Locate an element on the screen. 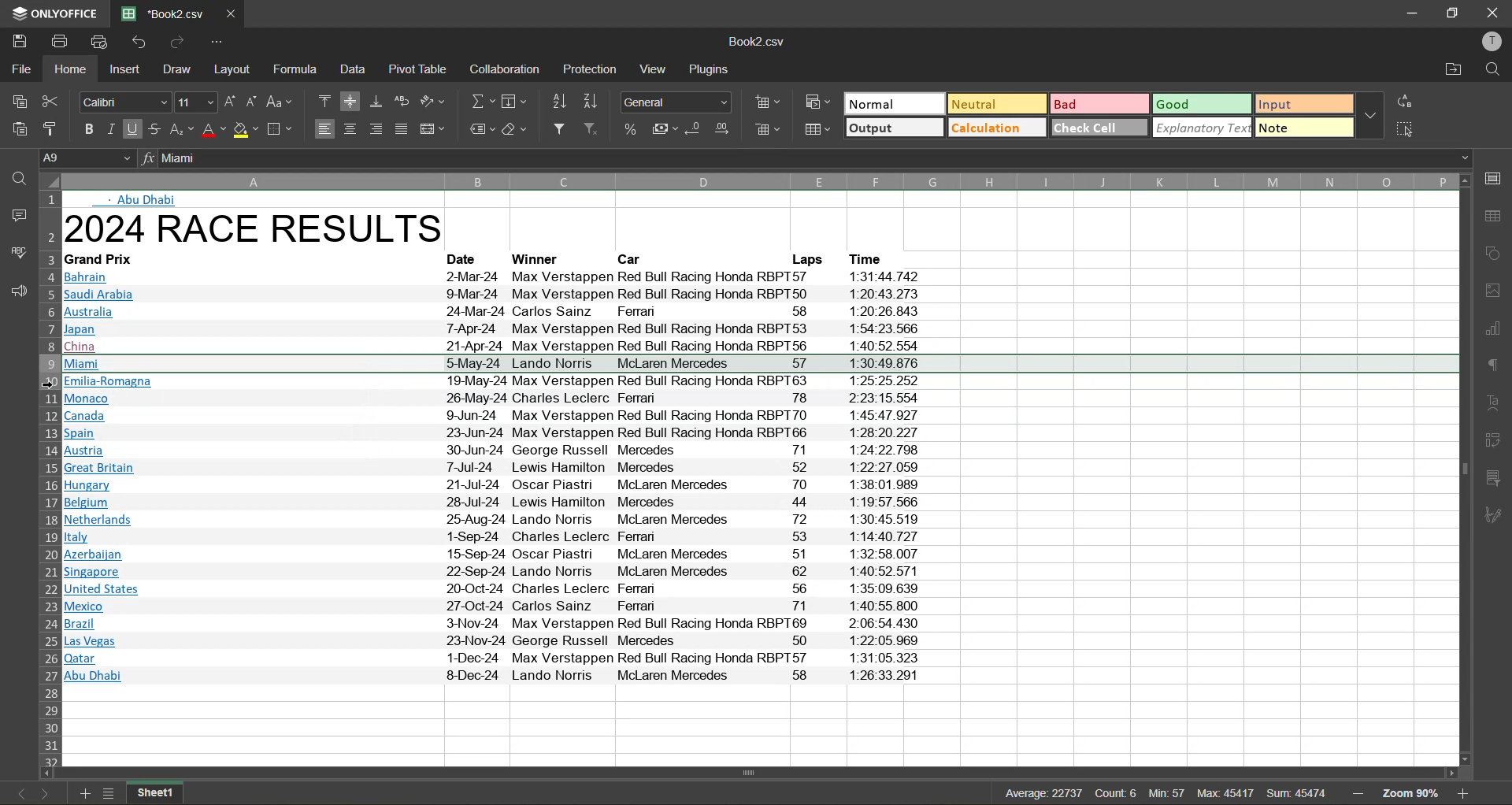 Image resolution: width=1512 pixels, height=805 pixels. neutral is located at coordinates (996, 103).